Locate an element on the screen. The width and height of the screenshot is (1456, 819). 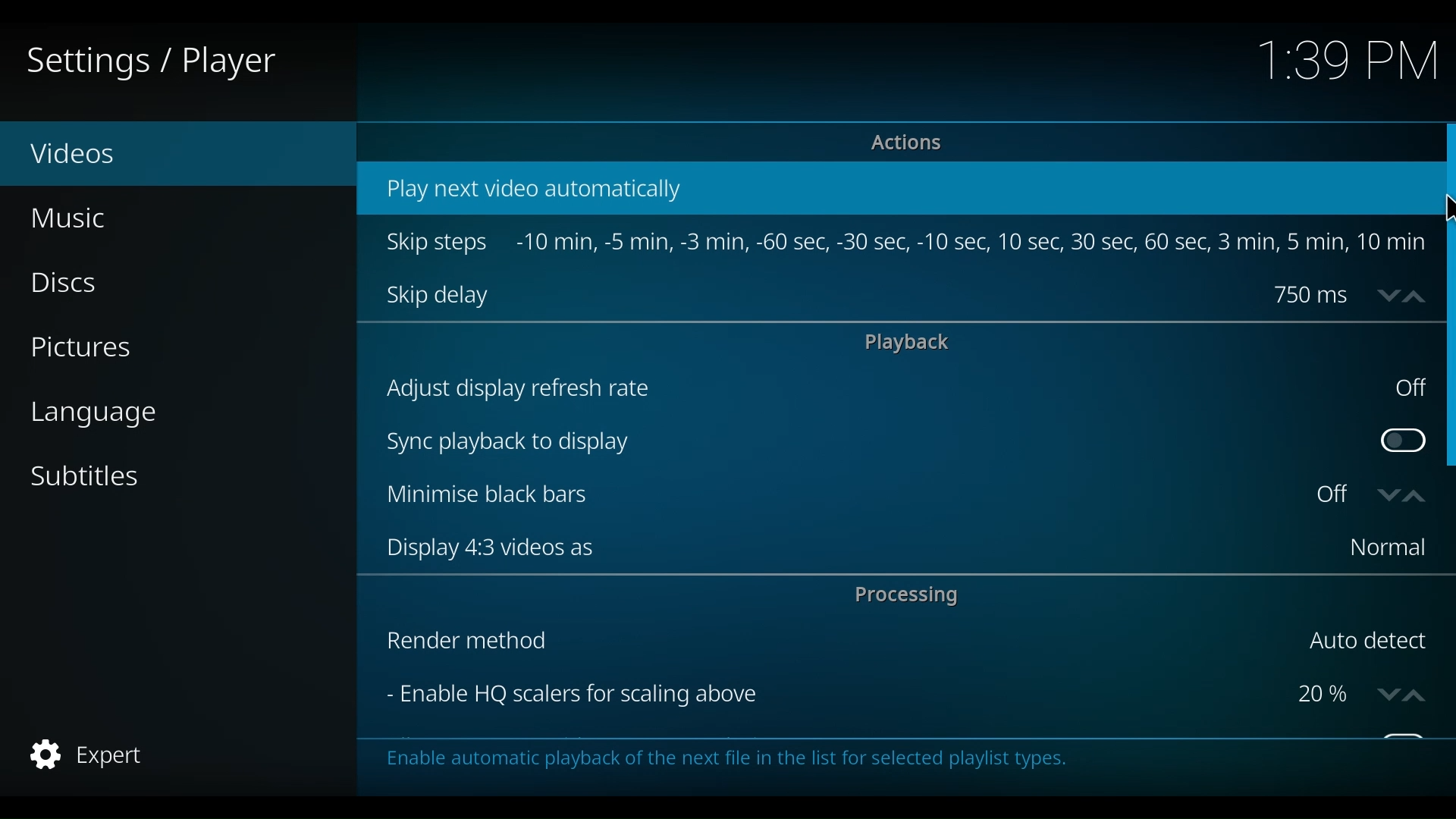
language is located at coordinates (93, 415).